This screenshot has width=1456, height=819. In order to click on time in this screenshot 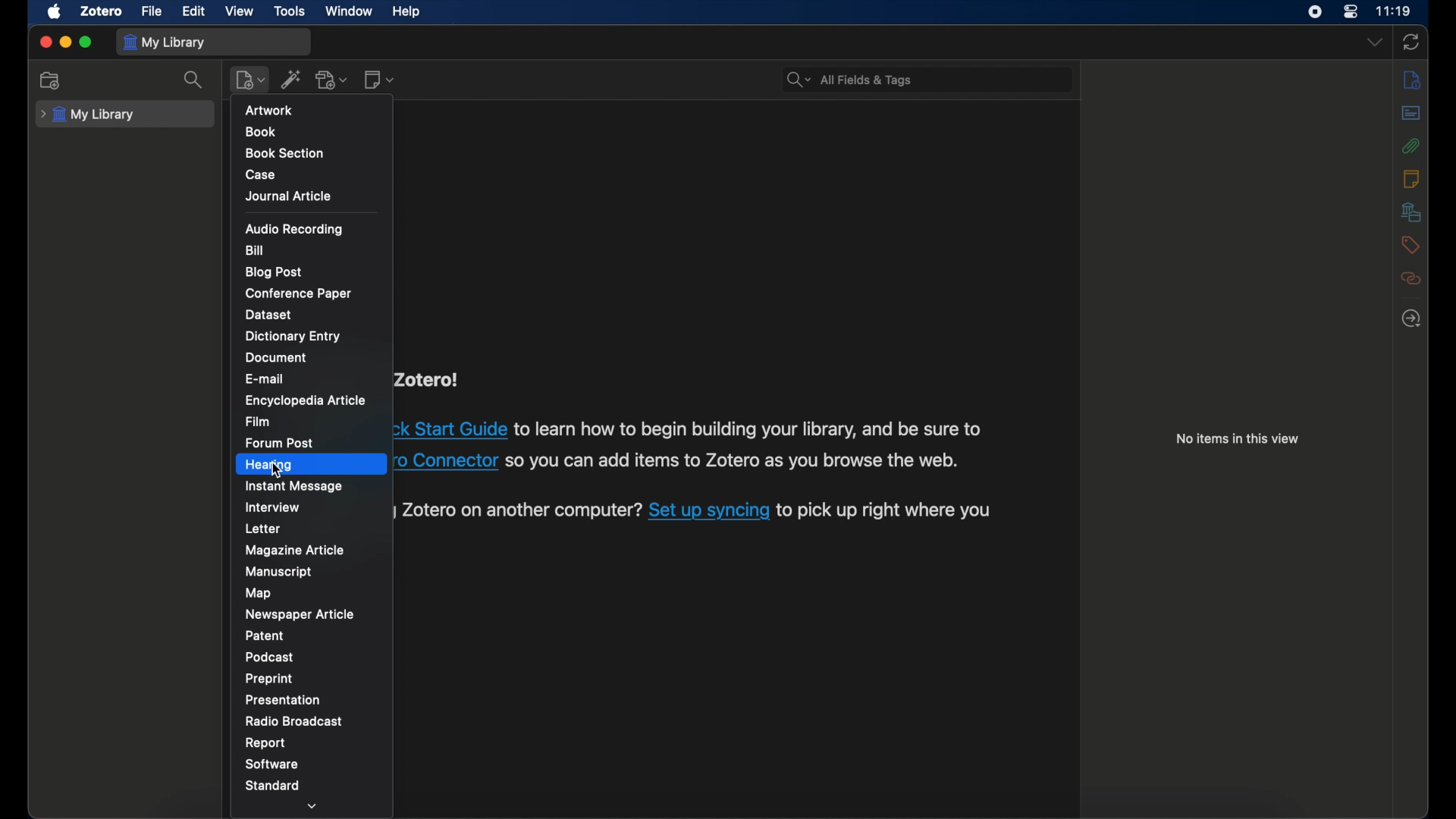, I will do `click(1392, 11)`.